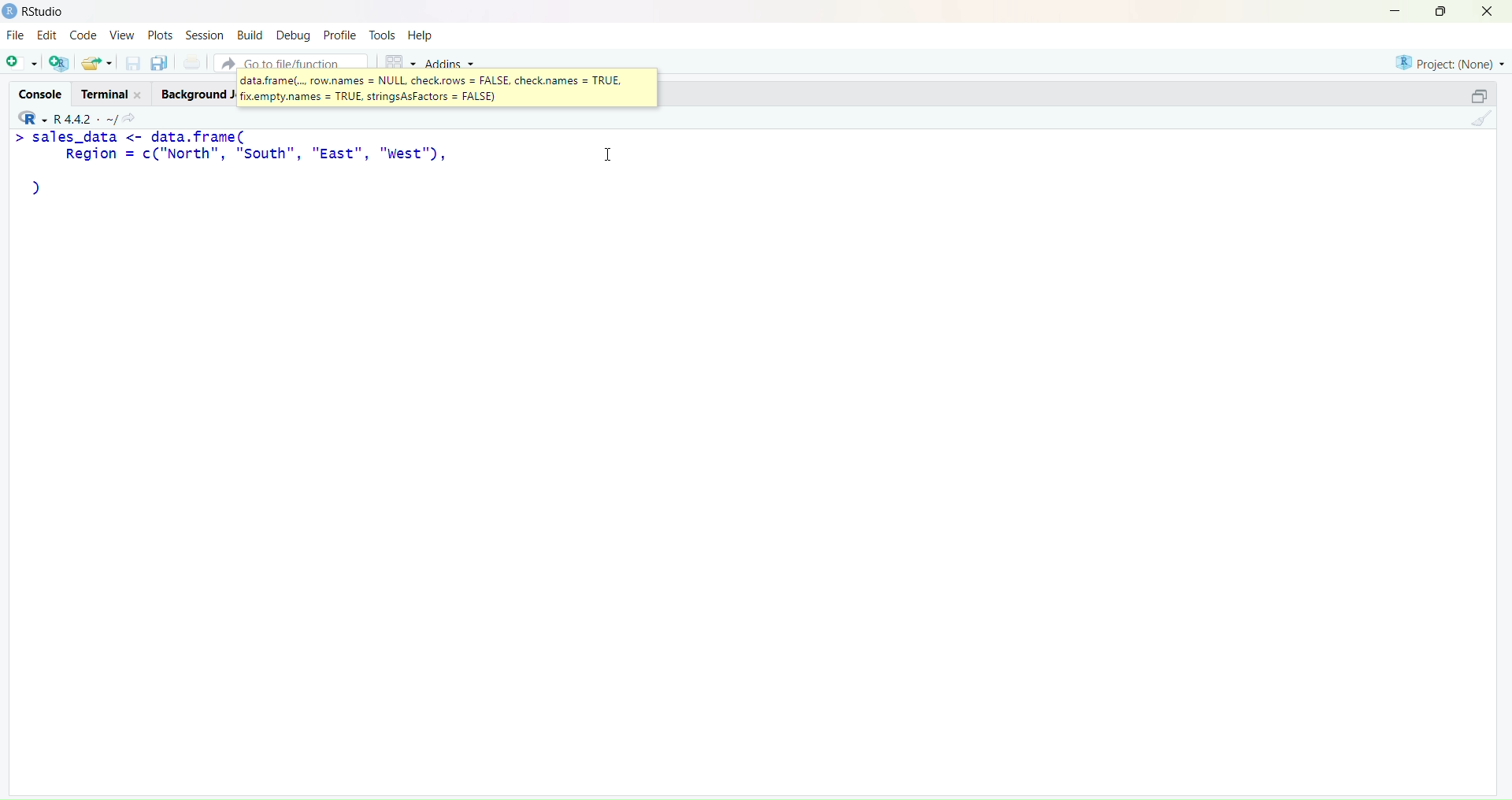 This screenshot has height=800, width=1512. Describe the element at coordinates (132, 67) in the screenshot. I see `save` at that location.